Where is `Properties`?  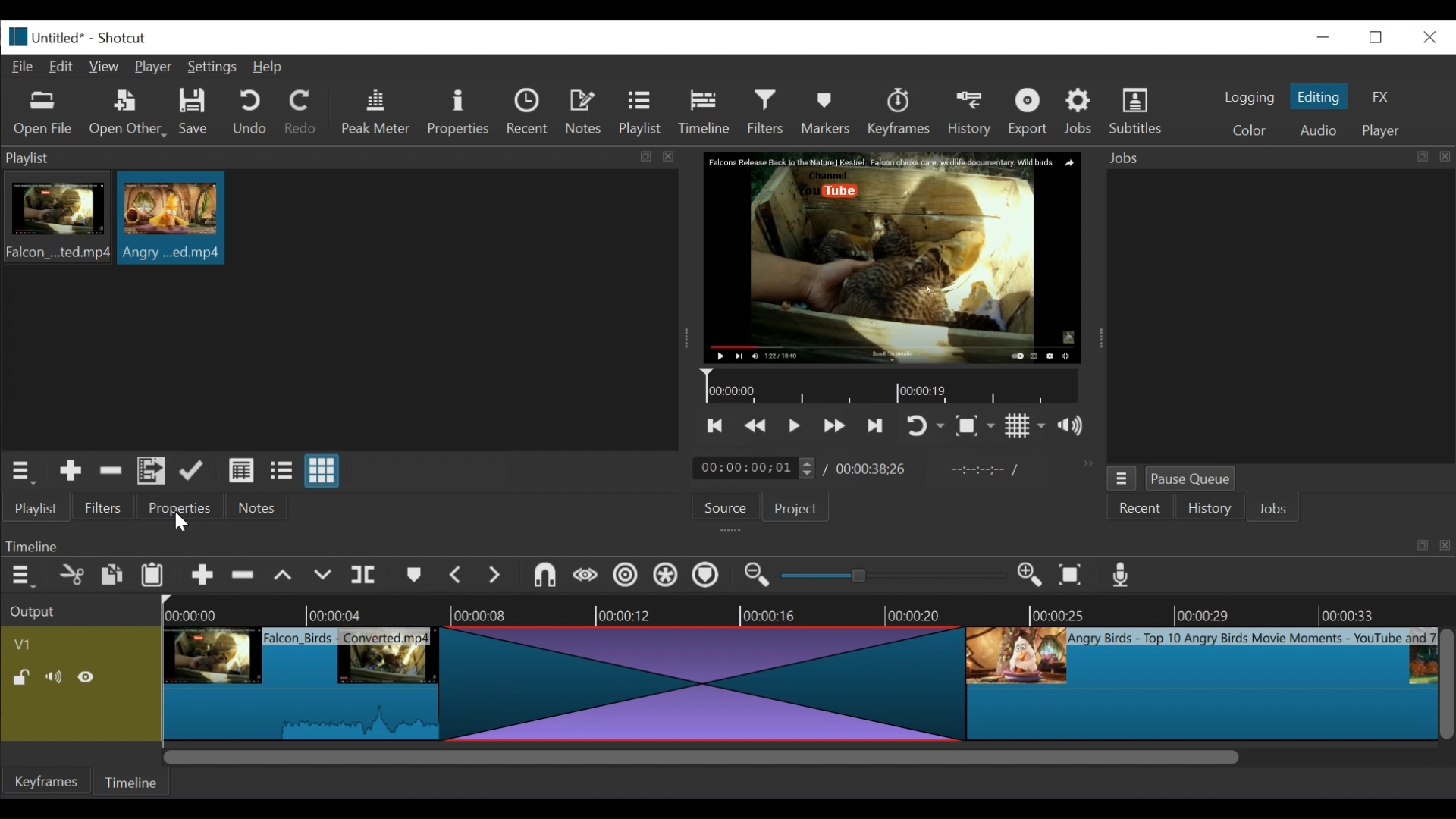
Properties is located at coordinates (460, 112).